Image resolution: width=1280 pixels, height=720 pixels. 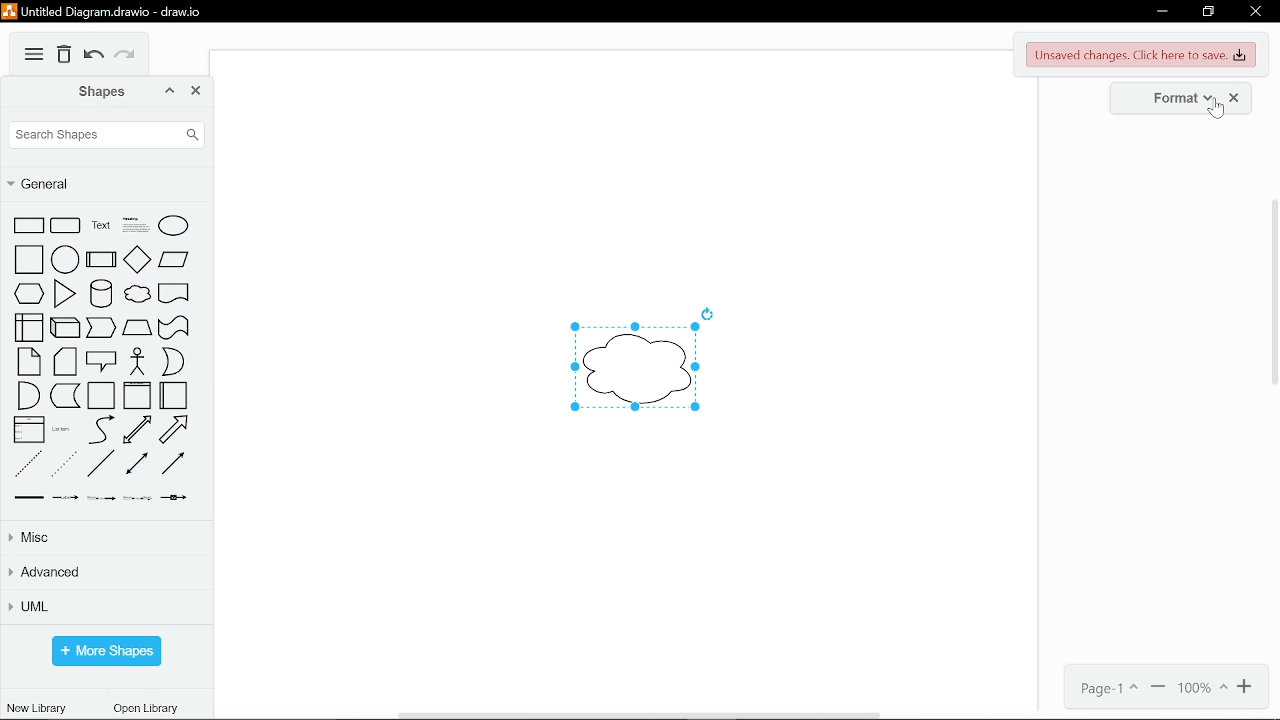 What do you see at coordinates (174, 295) in the screenshot?
I see `document` at bounding box center [174, 295].